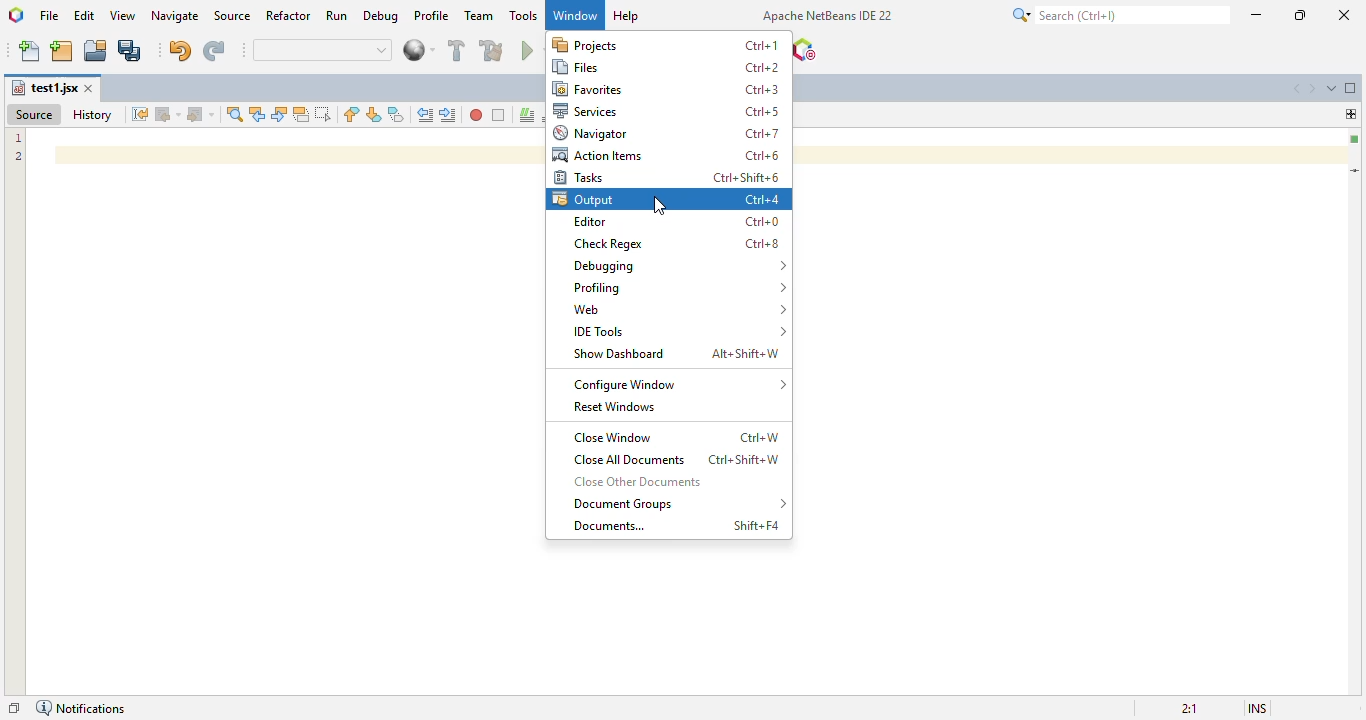  I want to click on maximize, so click(1300, 15).